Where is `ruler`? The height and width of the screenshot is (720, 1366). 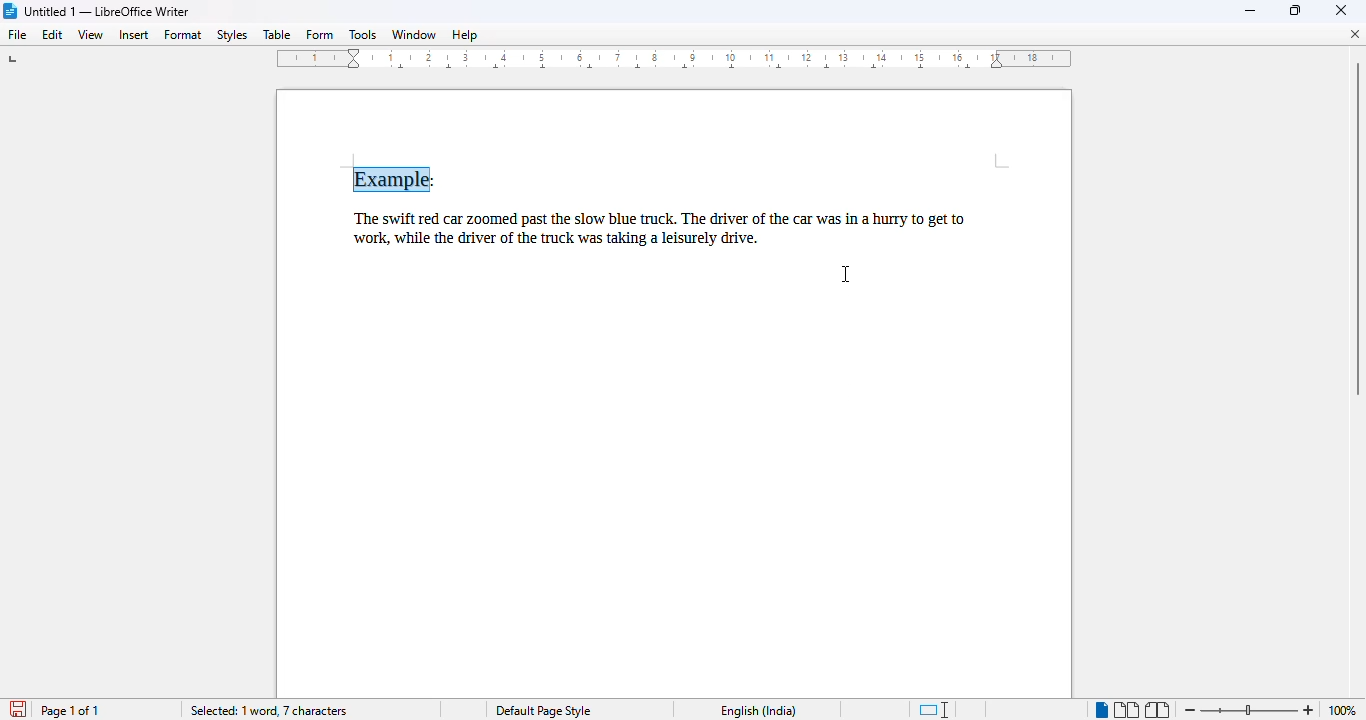 ruler is located at coordinates (679, 62).